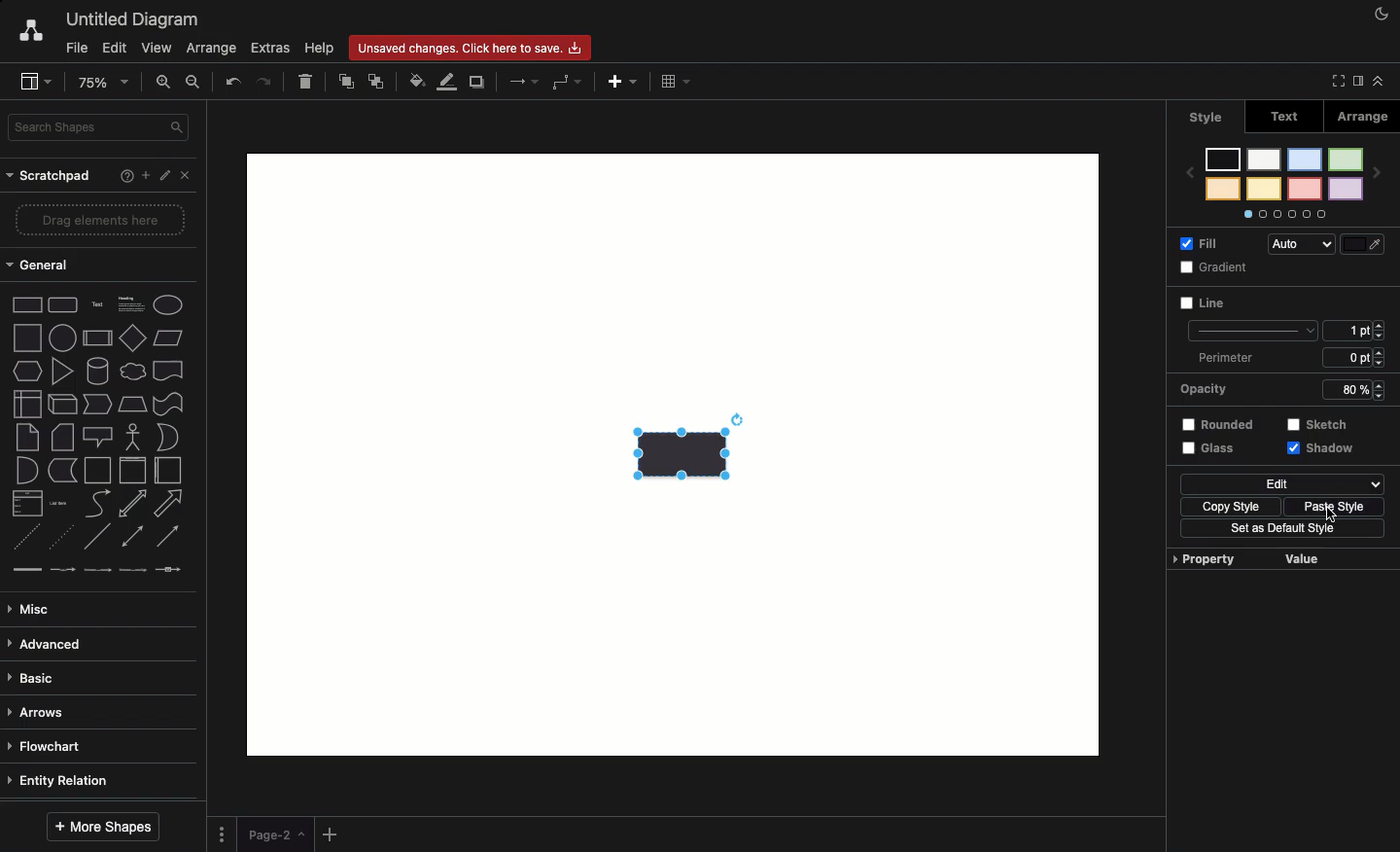  What do you see at coordinates (60, 436) in the screenshot?
I see `card` at bounding box center [60, 436].